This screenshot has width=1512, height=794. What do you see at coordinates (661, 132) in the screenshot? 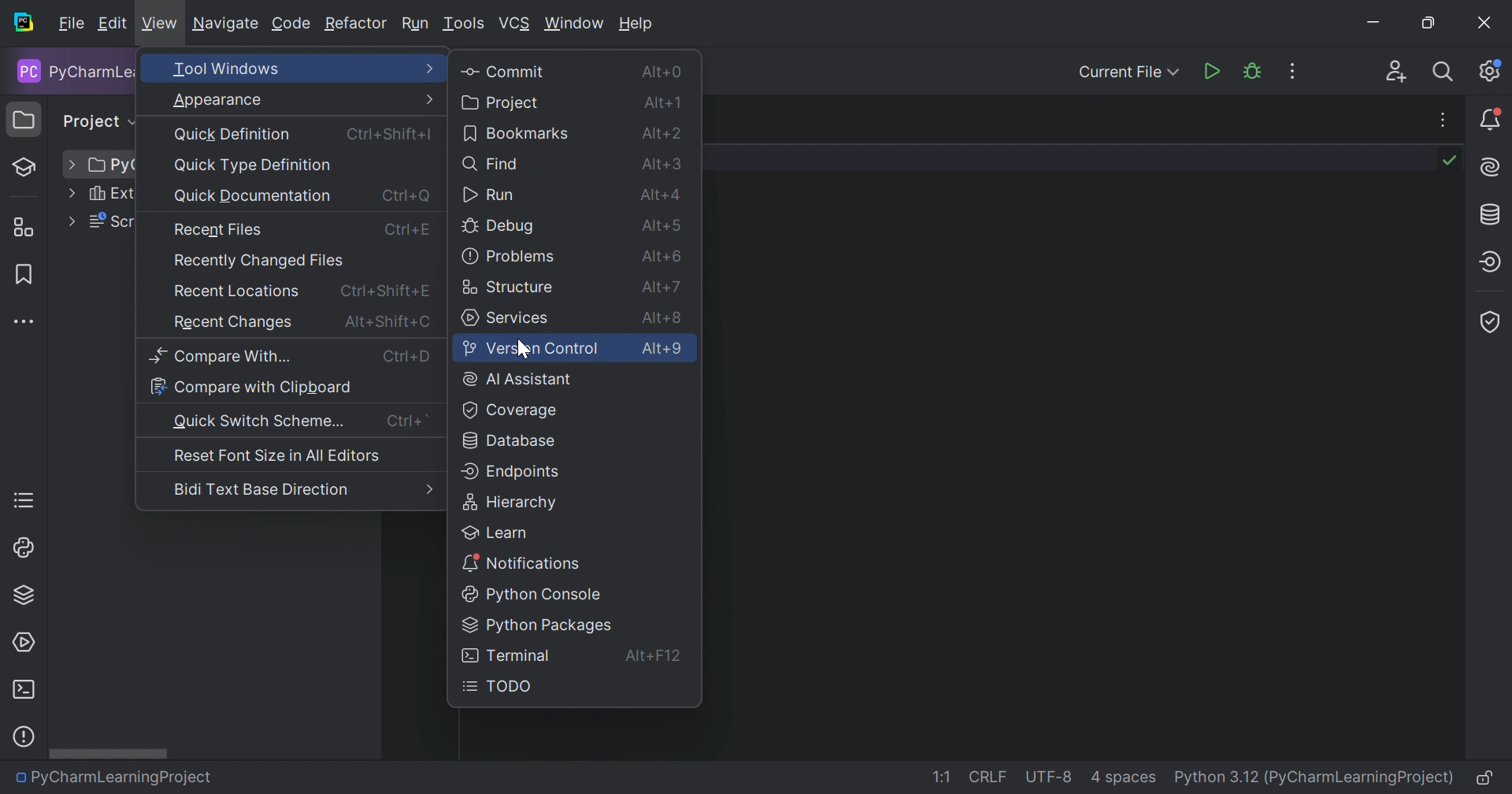
I see `Alt+2` at bounding box center [661, 132].